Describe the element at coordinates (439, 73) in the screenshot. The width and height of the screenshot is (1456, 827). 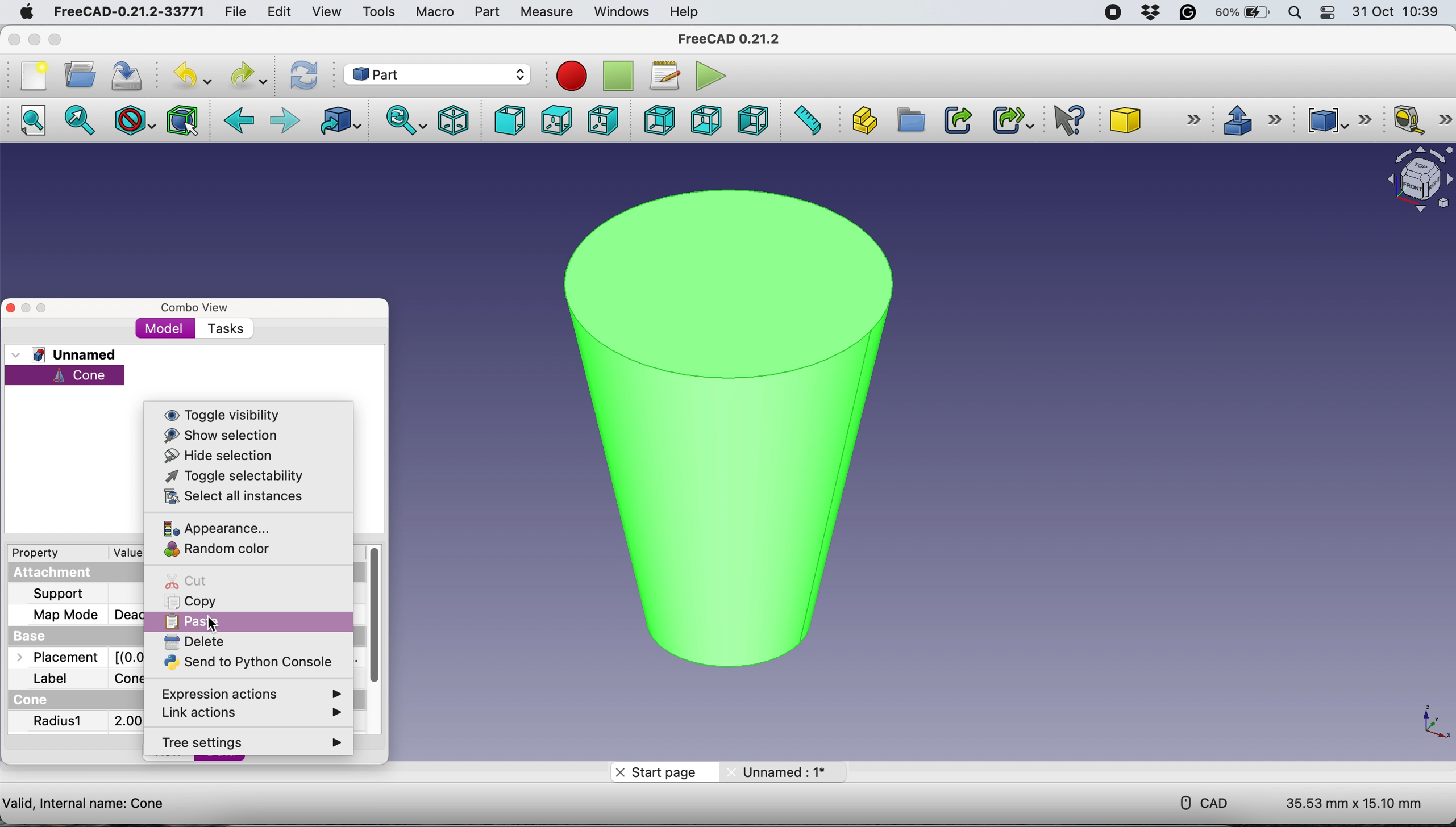
I see `part` at that location.